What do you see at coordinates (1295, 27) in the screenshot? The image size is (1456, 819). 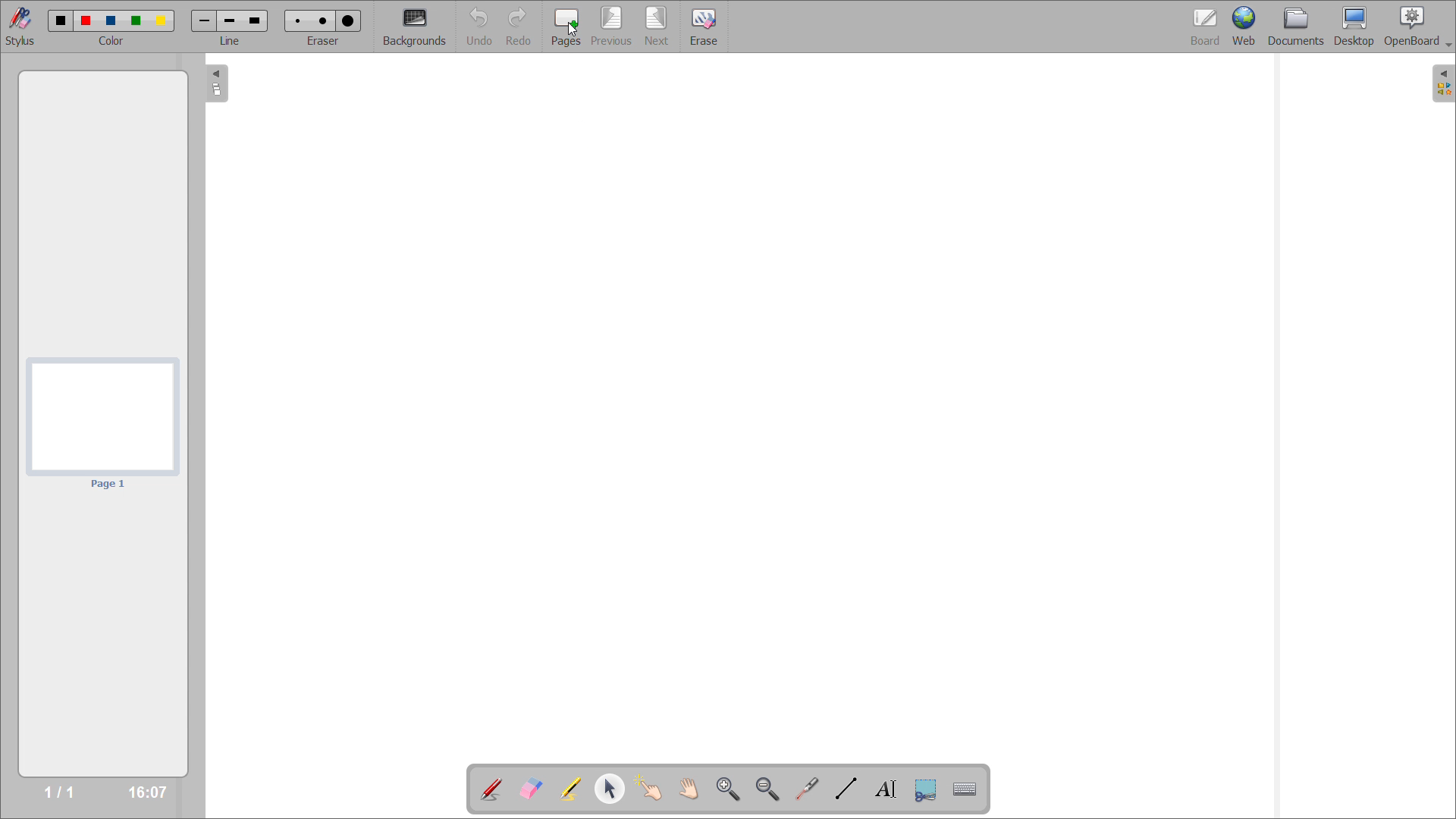 I see `documents` at bounding box center [1295, 27].